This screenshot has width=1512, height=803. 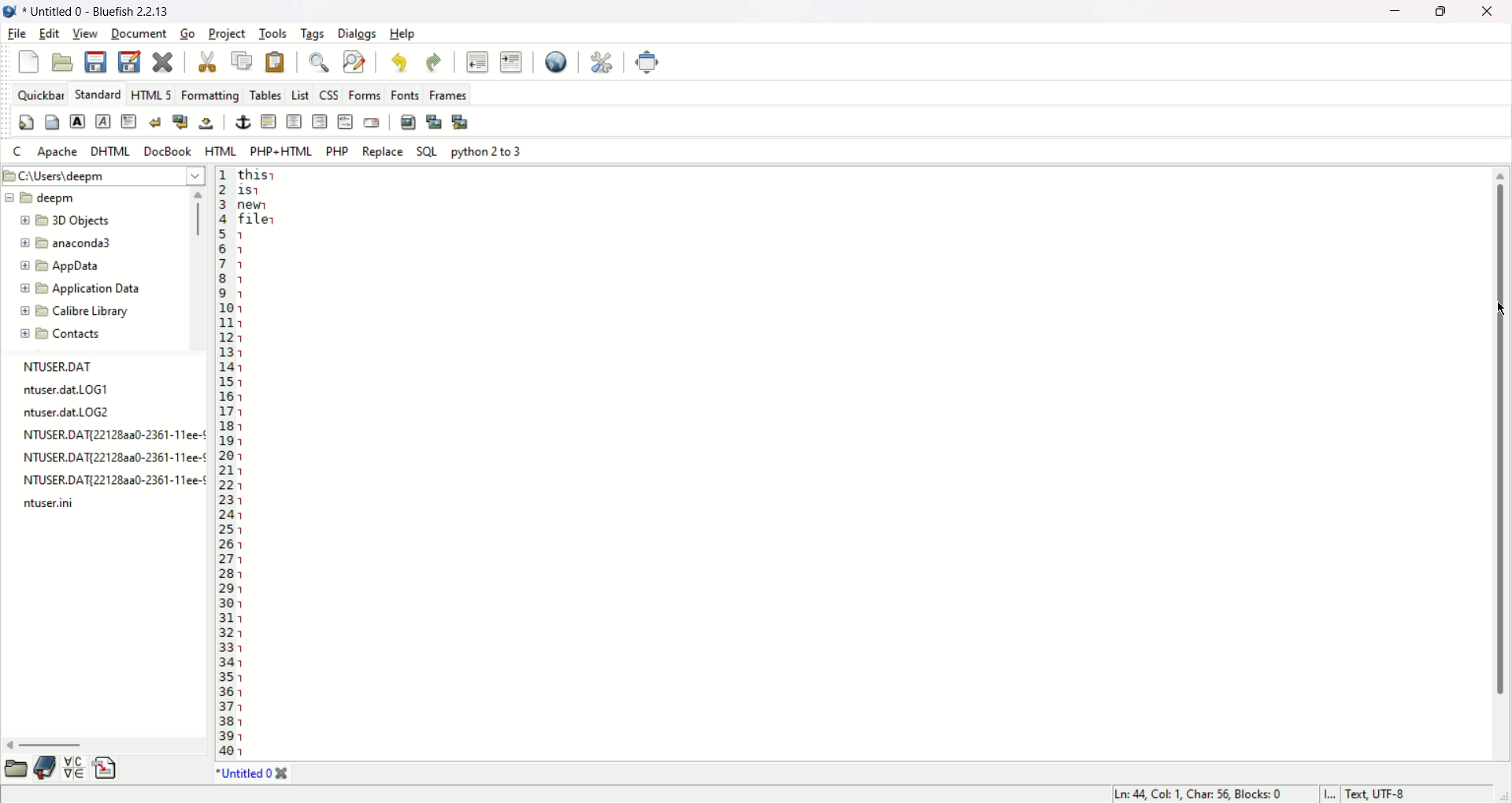 What do you see at coordinates (49, 33) in the screenshot?
I see `edit` at bounding box center [49, 33].